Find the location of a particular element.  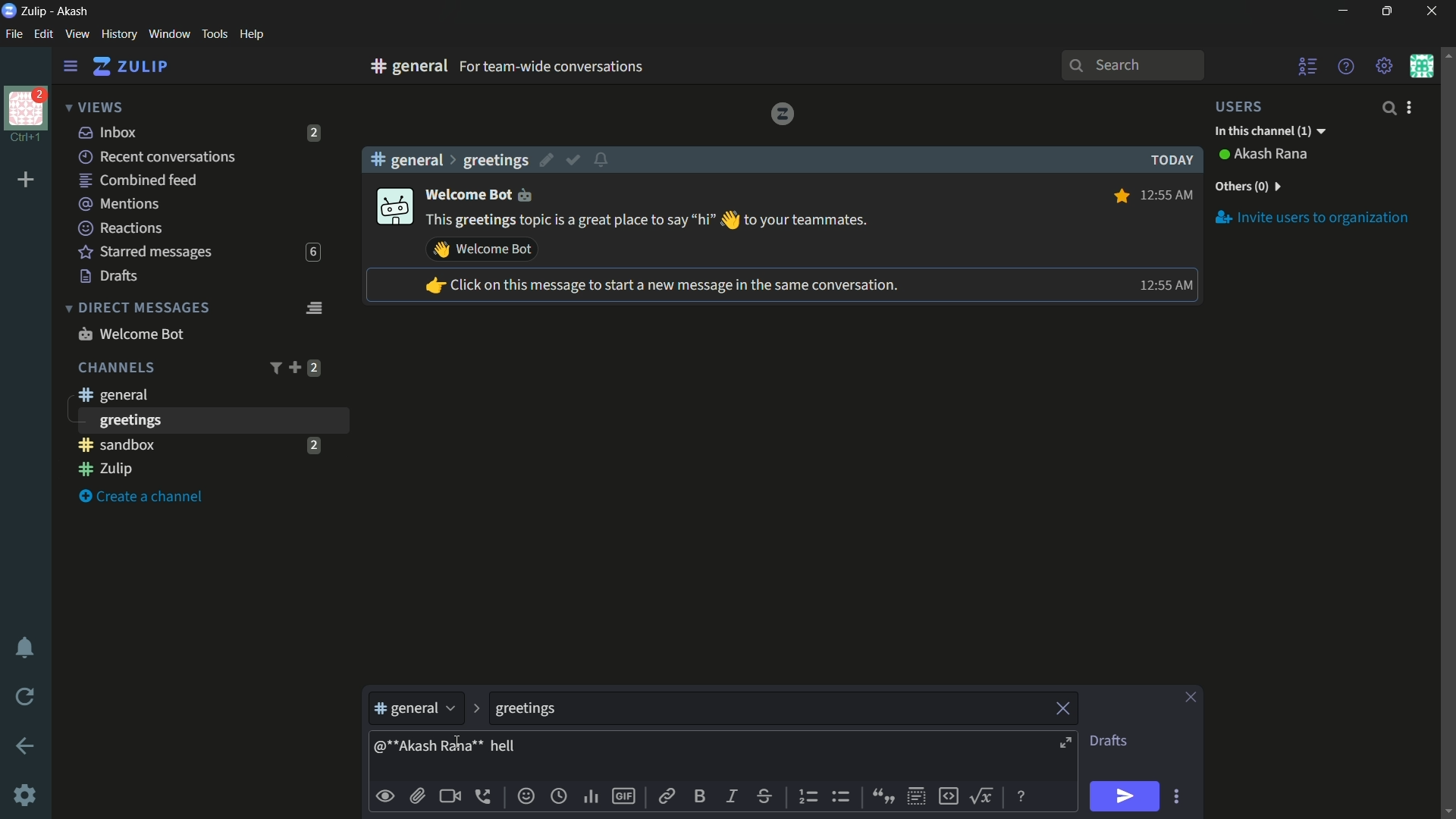

in this channel is located at coordinates (1270, 132).